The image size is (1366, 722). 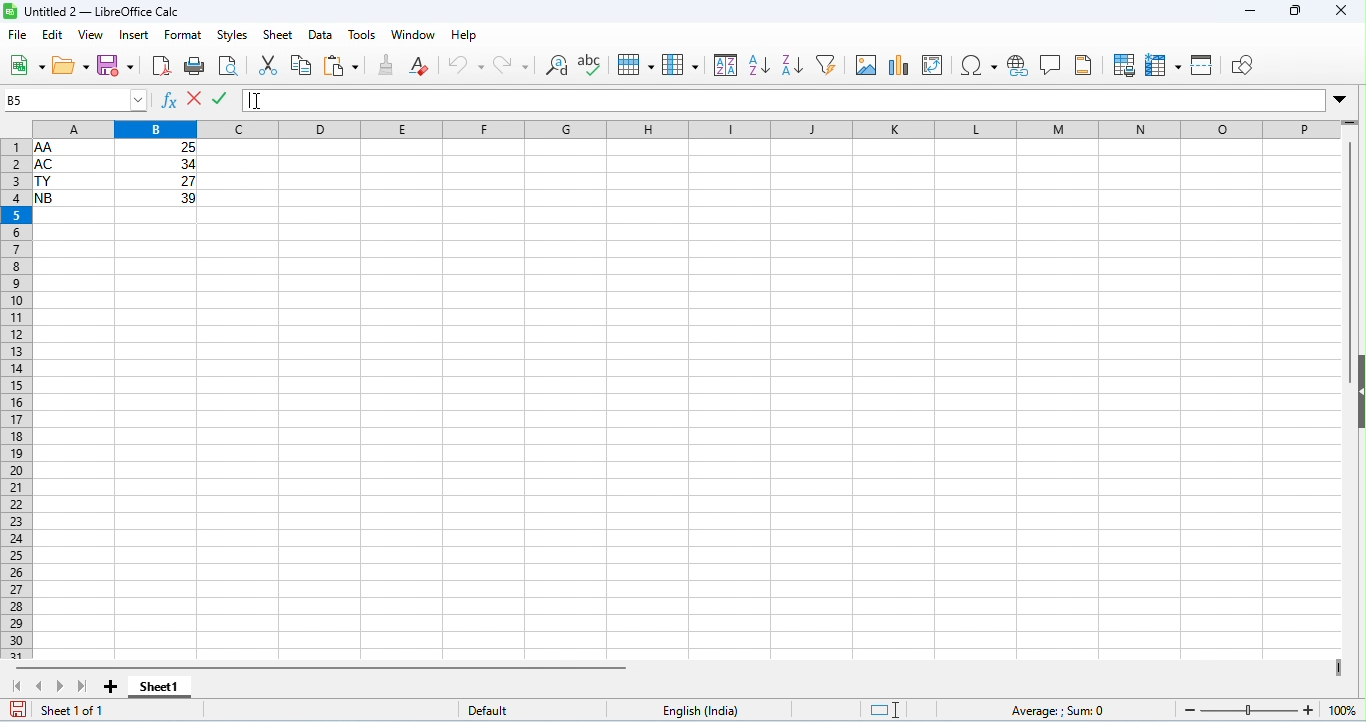 I want to click on undo, so click(x=467, y=64).